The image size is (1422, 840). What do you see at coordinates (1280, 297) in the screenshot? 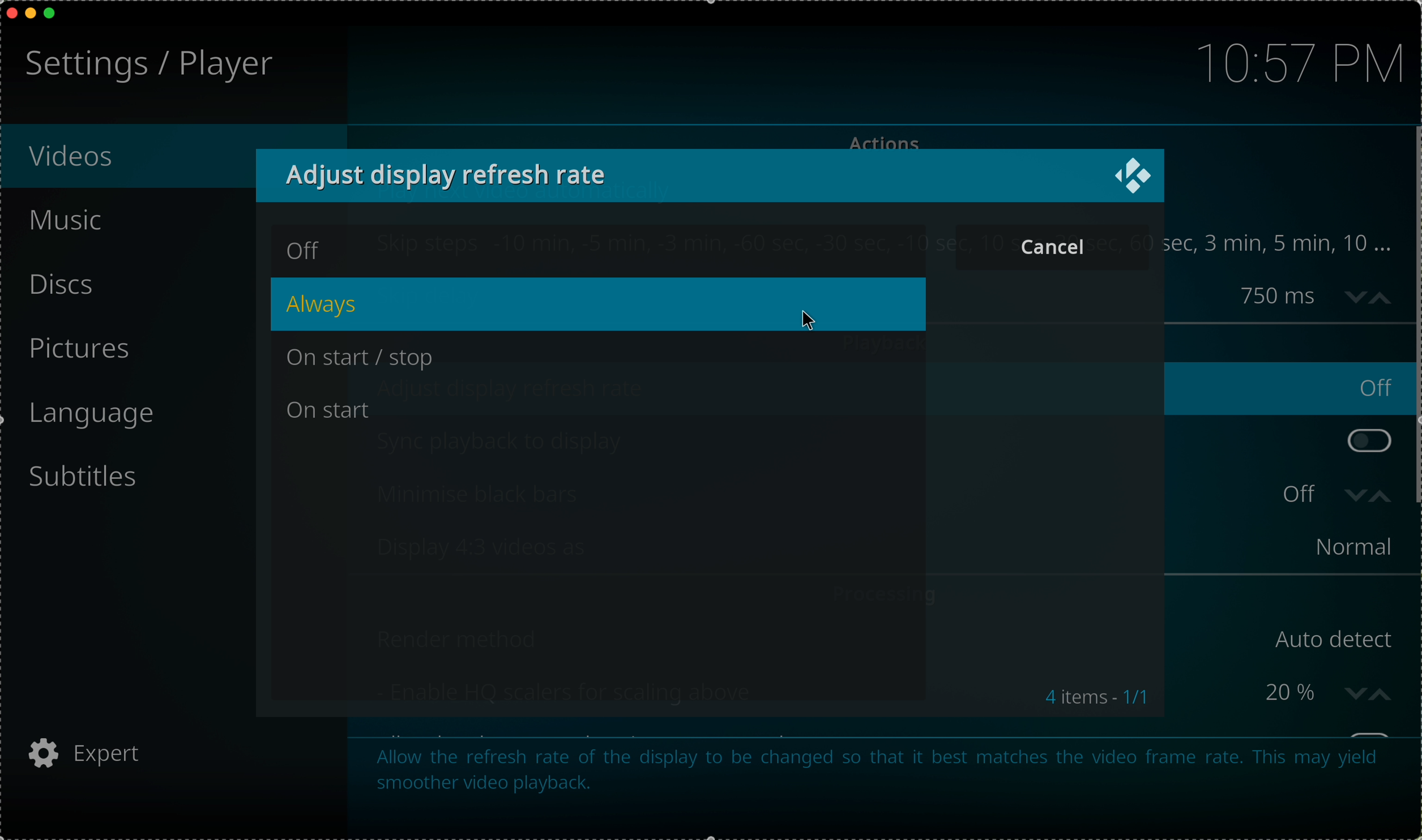
I see `750 ms` at bounding box center [1280, 297].